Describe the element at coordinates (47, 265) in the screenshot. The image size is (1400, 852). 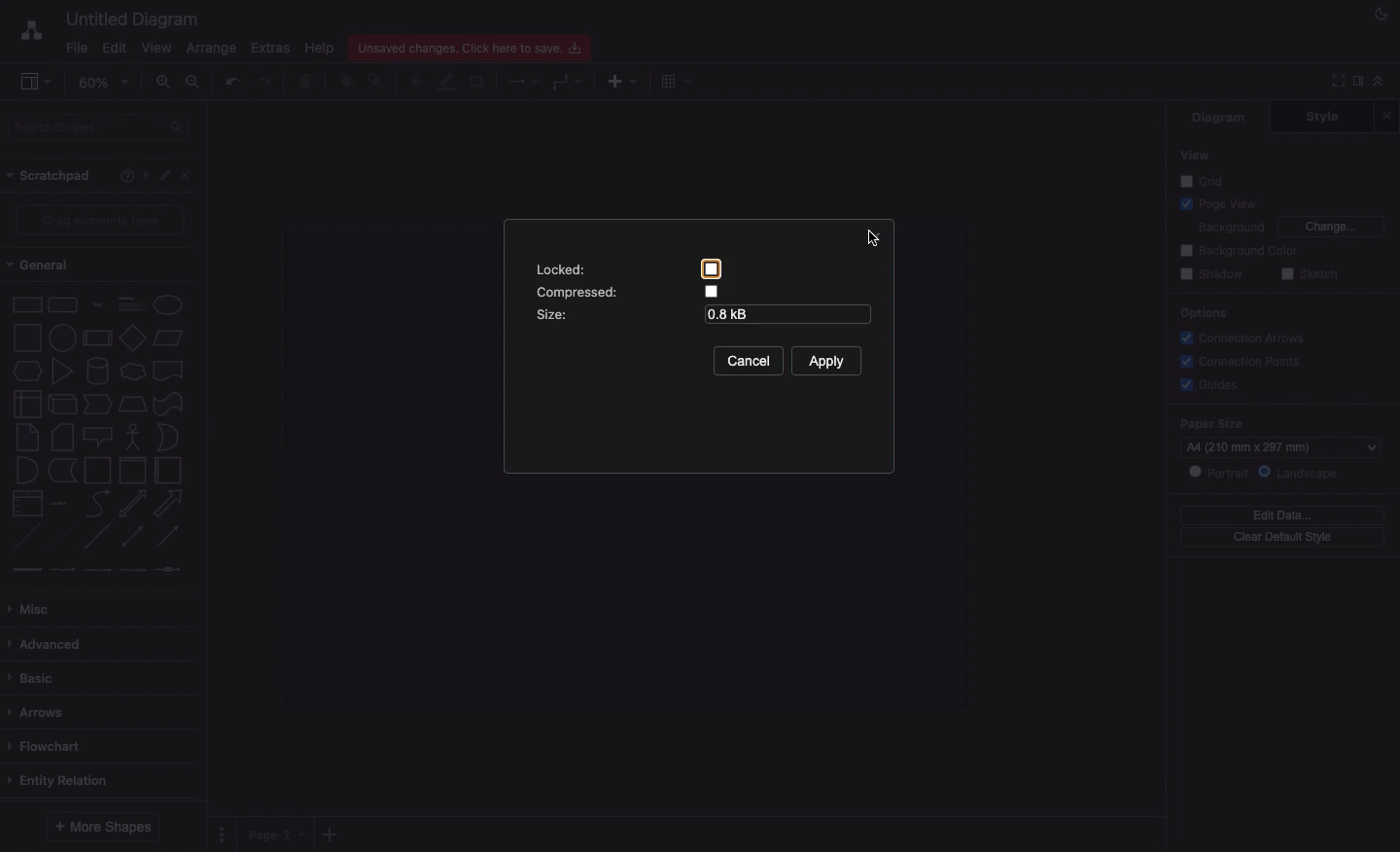
I see `General` at that location.